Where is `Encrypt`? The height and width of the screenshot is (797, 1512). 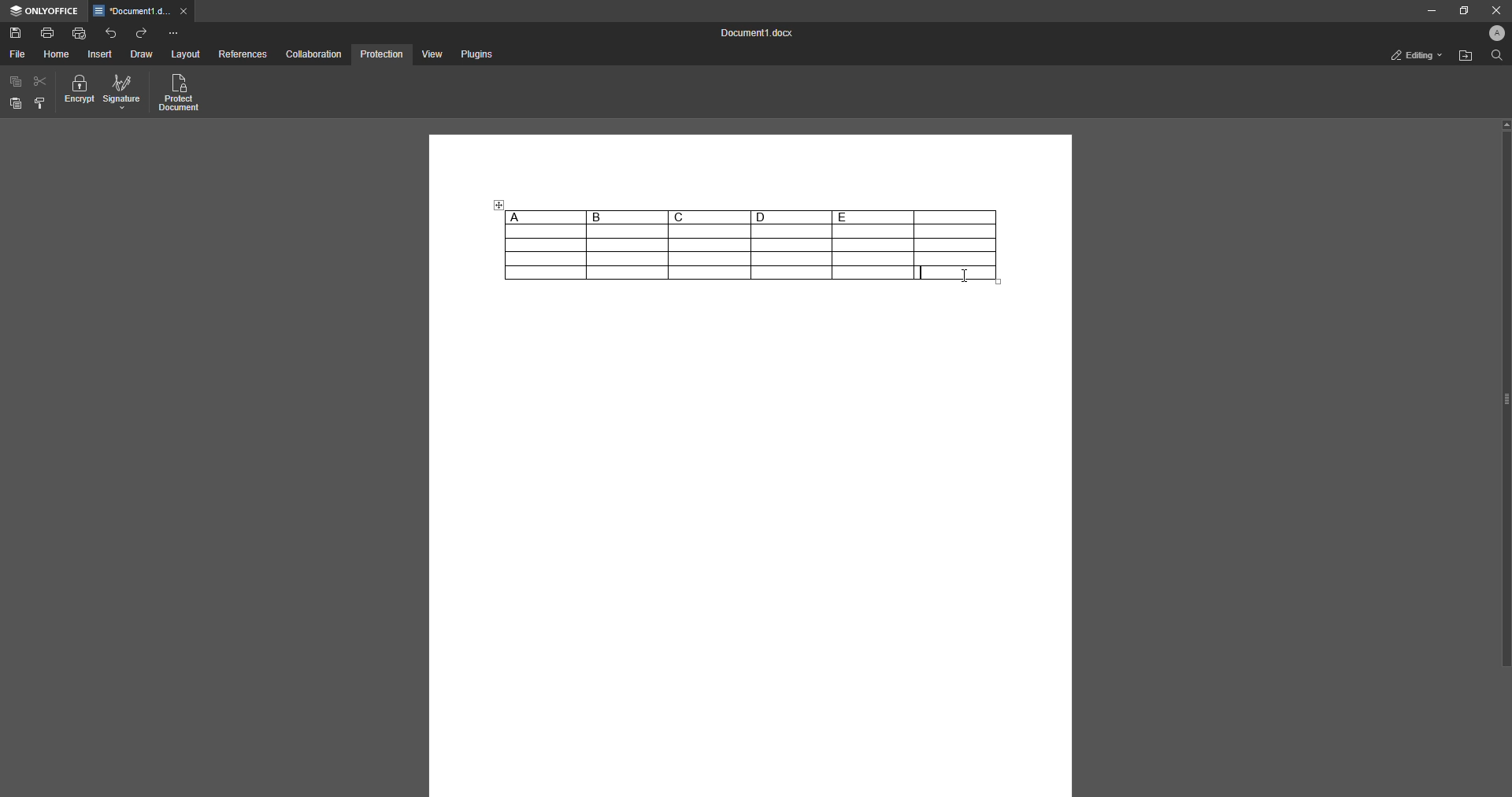 Encrypt is located at coordinates (80, 92).